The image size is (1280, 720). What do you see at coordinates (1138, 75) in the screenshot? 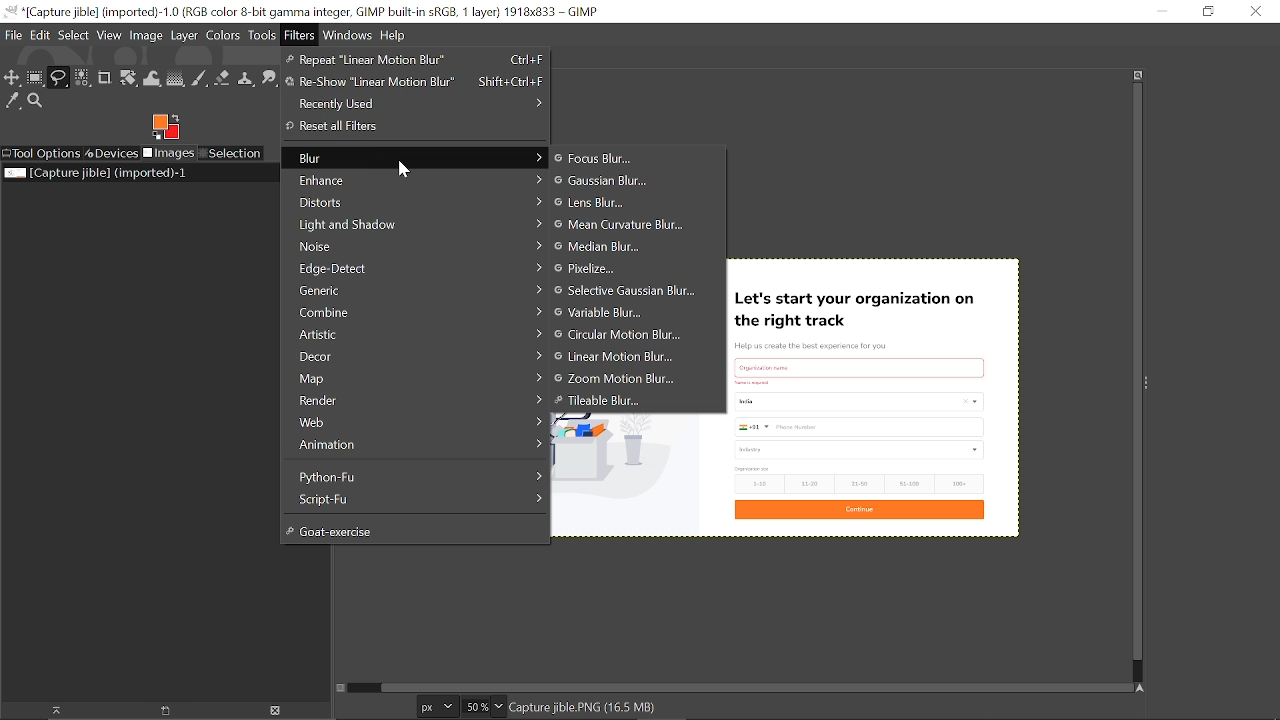
I see `Zoom when widow size changes` at bounding box center [1138, 75].